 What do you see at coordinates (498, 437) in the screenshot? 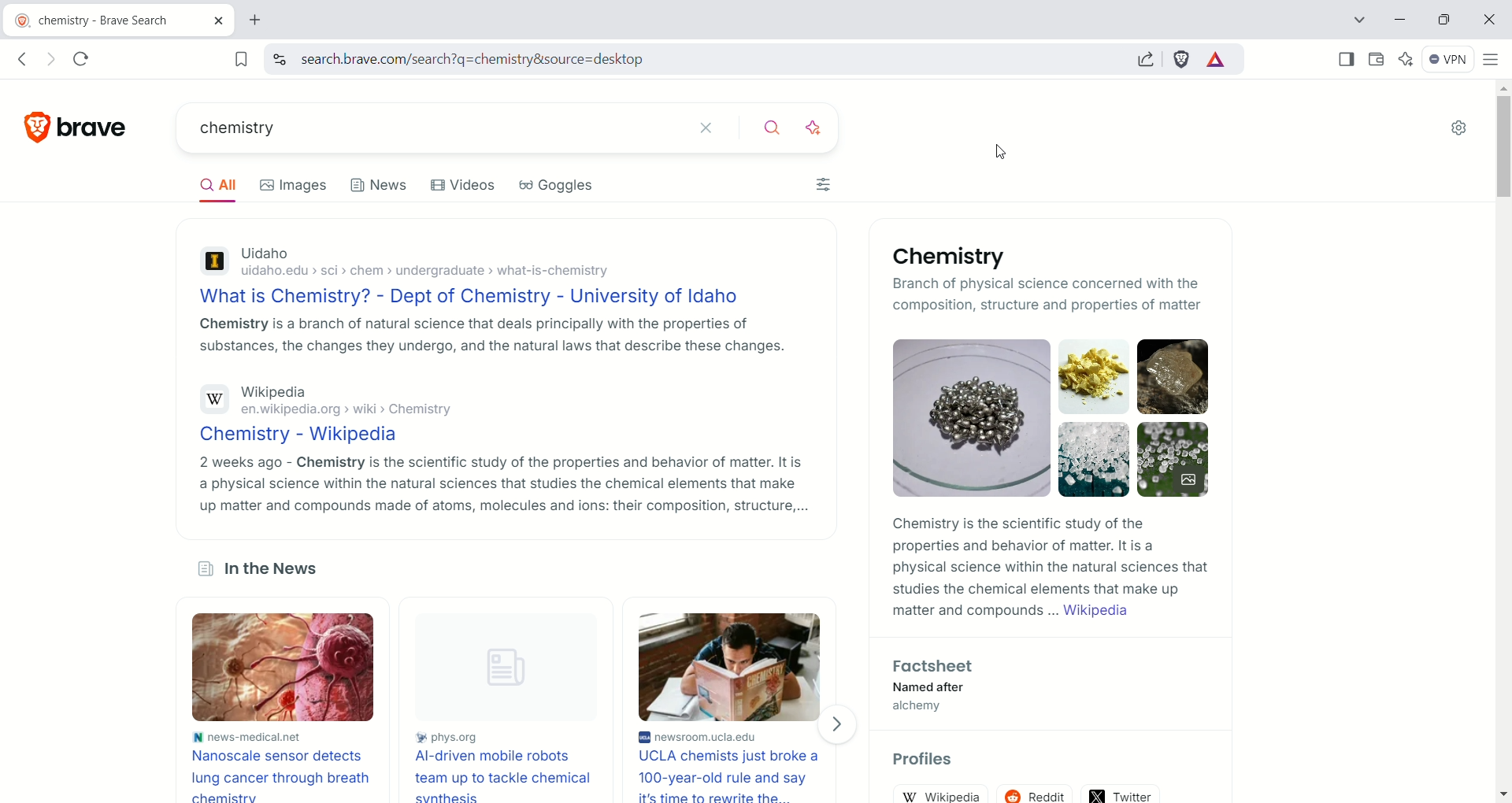
I see `Chemistry - Wikipedia` at bounding box center [498, 437].